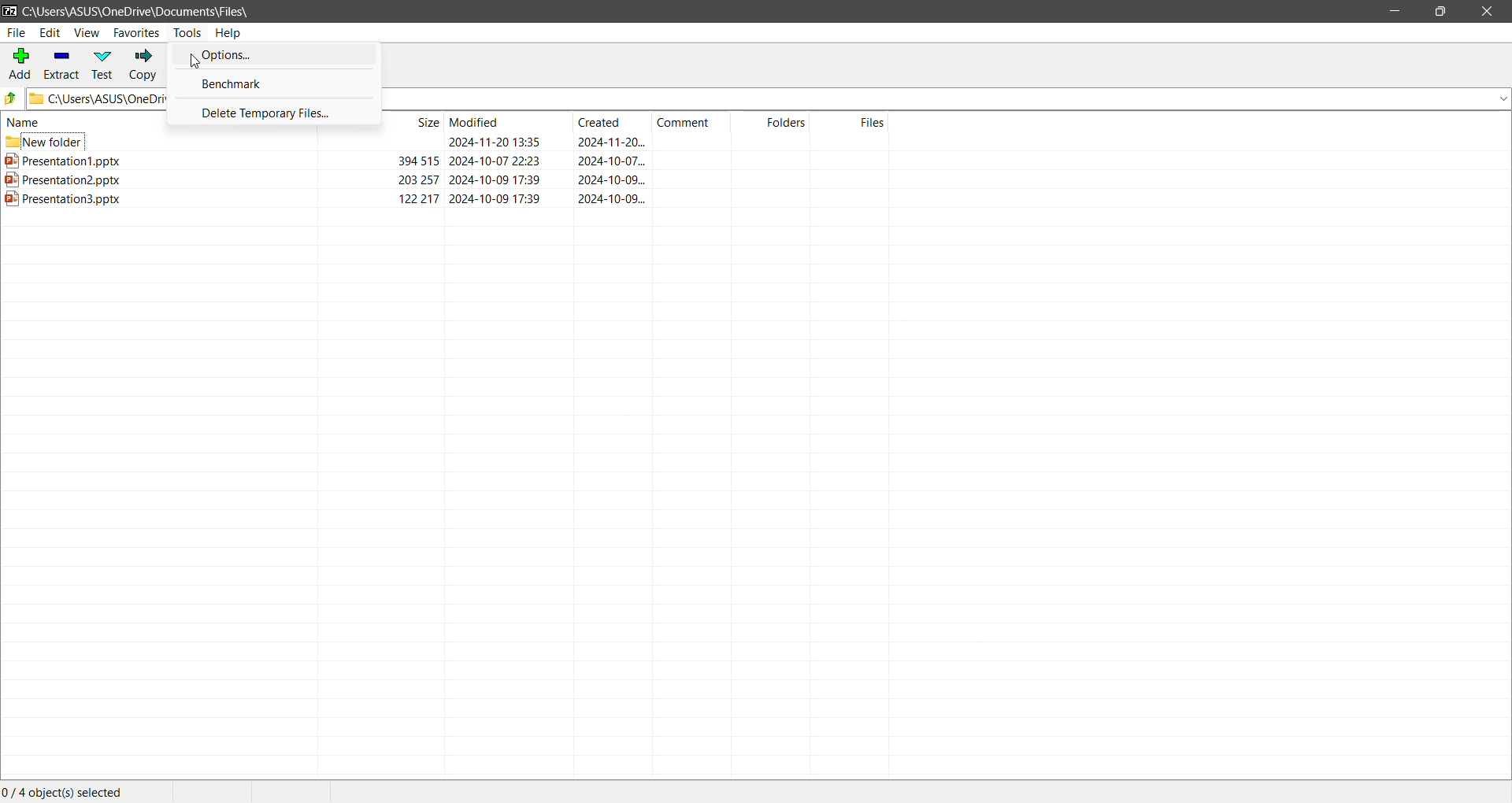 The width and height of the screenshot is (1512, 803). I want to click on Help, so click(228, 35).